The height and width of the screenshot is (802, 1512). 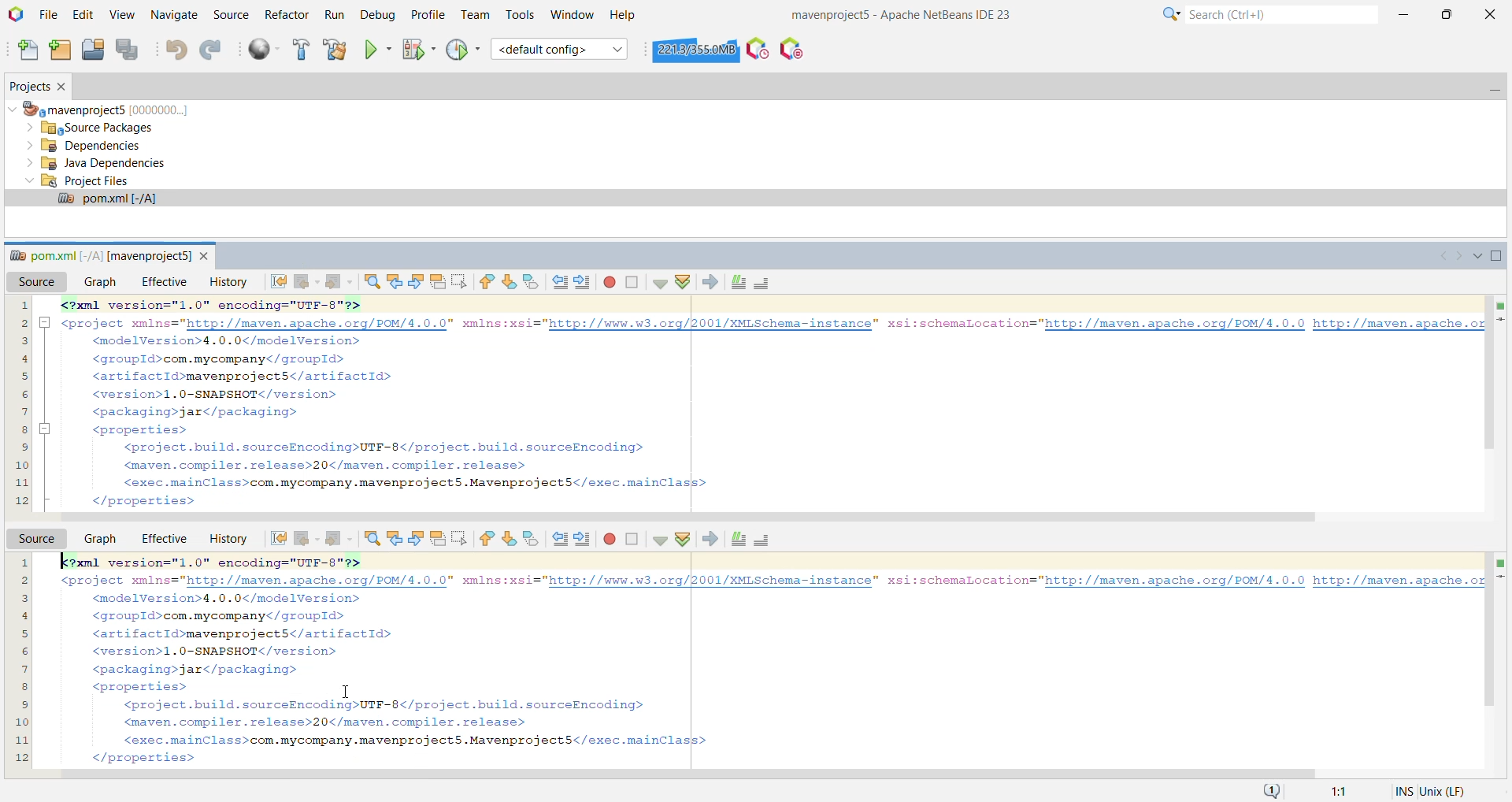 I want to click on Toggle Rectangular Selection, so click(x=458, y=540).